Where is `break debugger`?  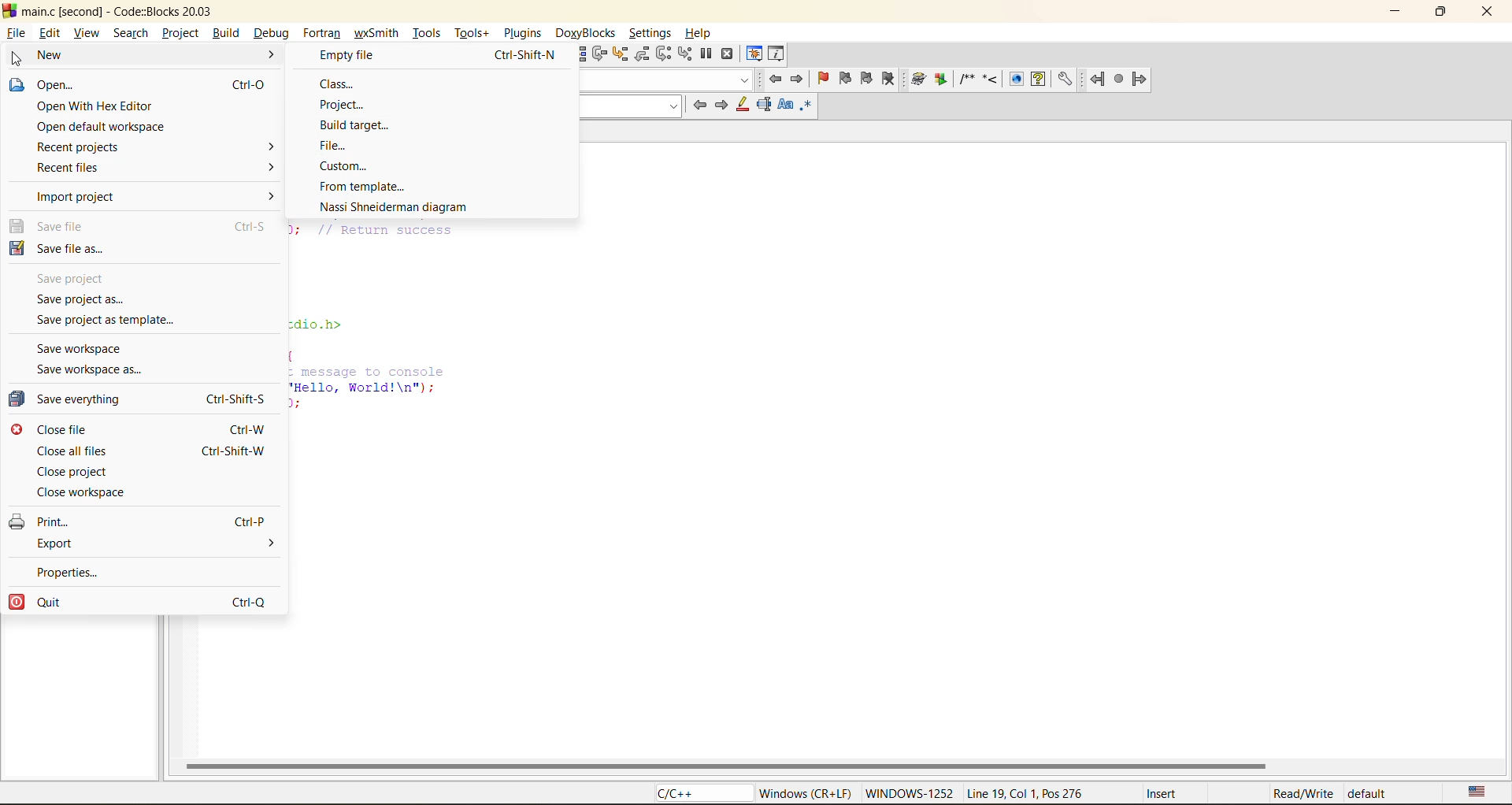
break debugger is located at coordinates (706, 54).